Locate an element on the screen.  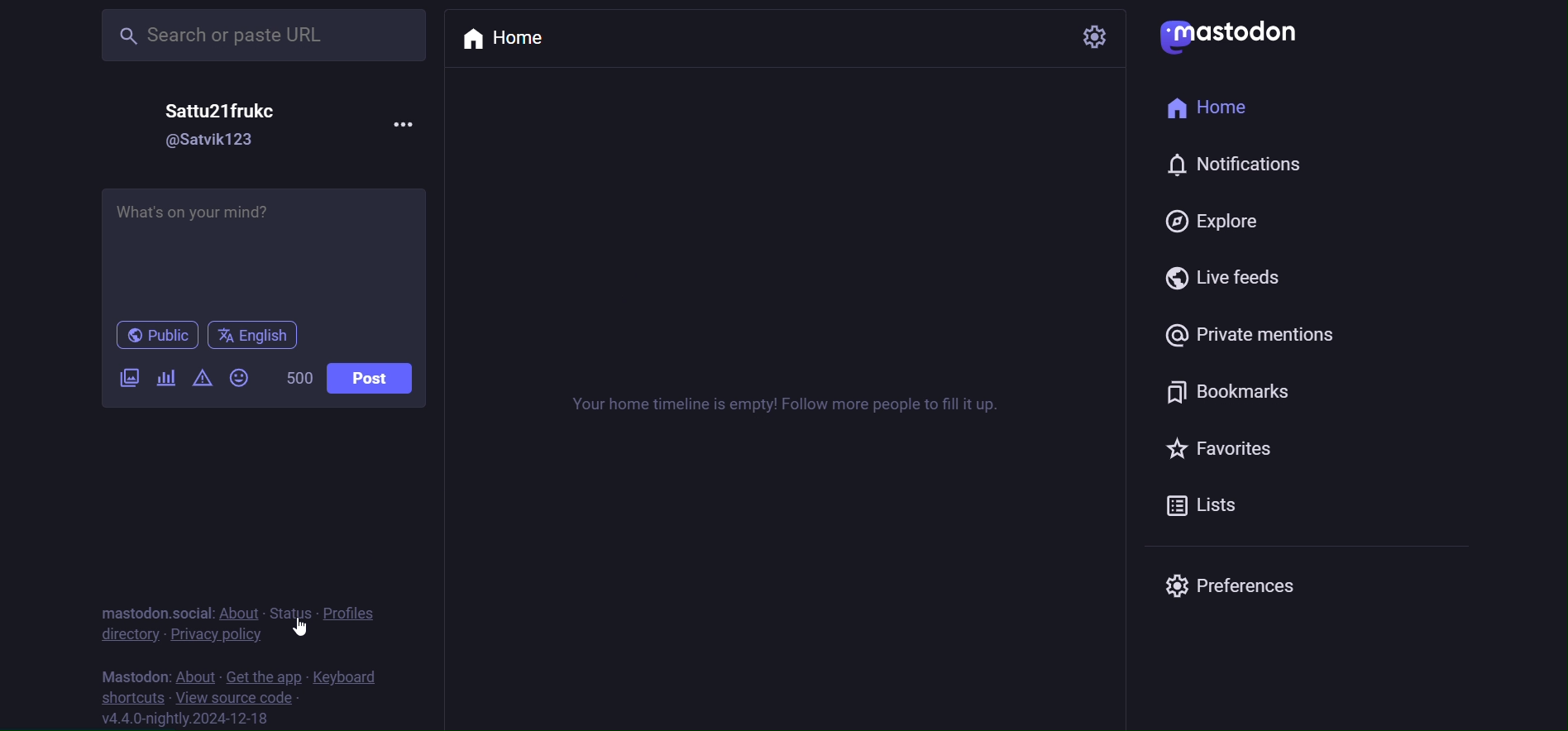
Post is located at coordinates (370, 380).